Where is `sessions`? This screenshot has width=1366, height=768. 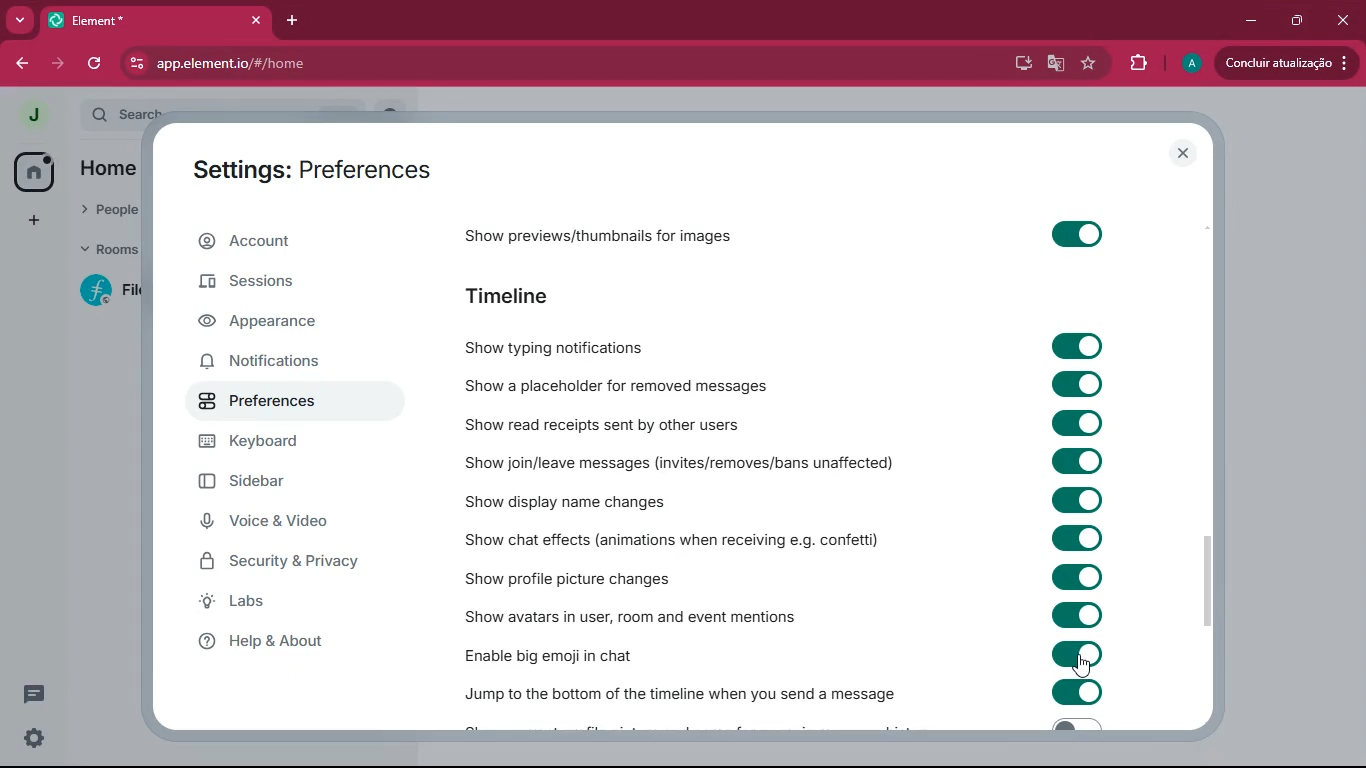 sessions is located at coordinates (288, 288).